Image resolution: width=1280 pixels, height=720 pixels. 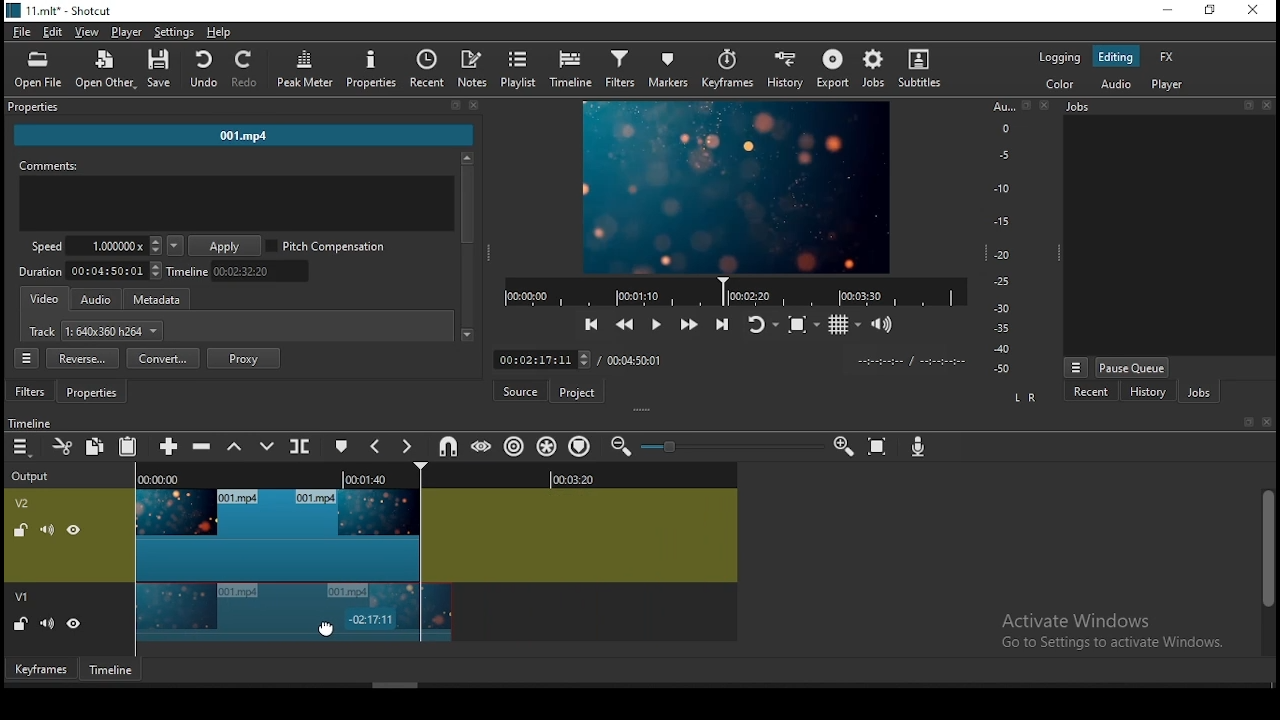 I want to click on L R, so click(x=1024, y=399).